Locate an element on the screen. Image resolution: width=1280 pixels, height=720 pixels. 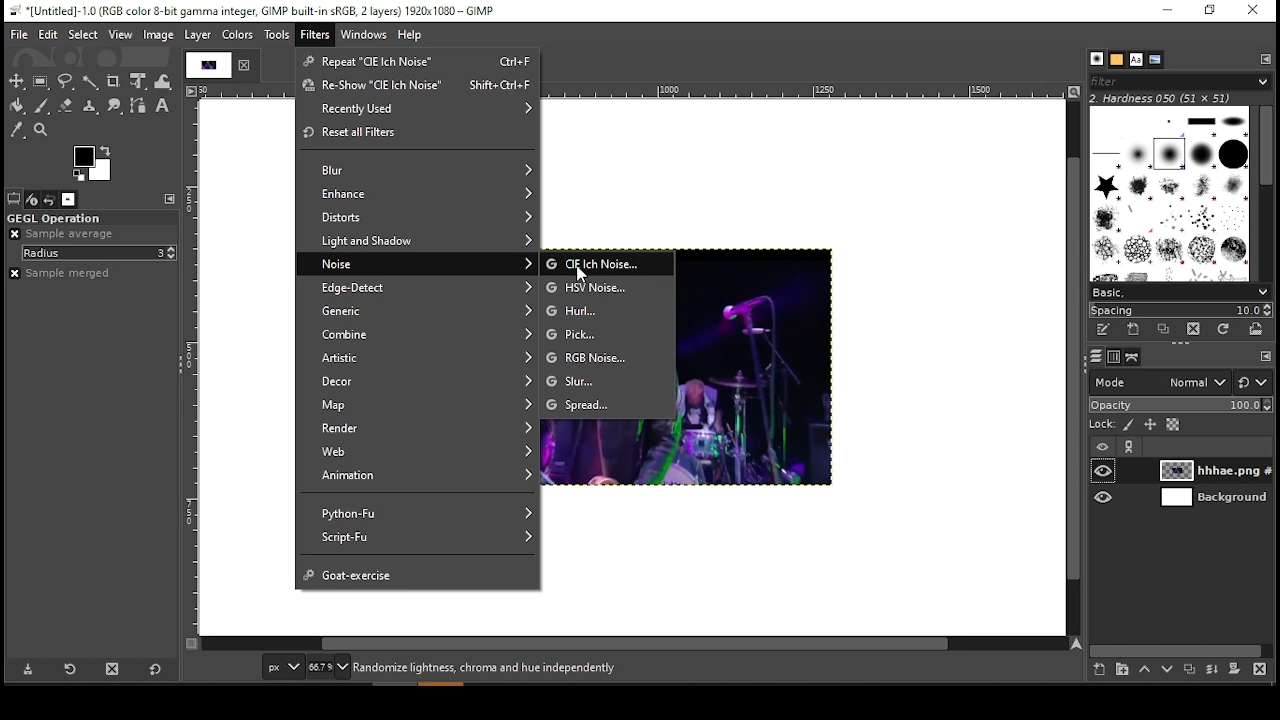
GEGL operation is located at coordinates (89, 219).